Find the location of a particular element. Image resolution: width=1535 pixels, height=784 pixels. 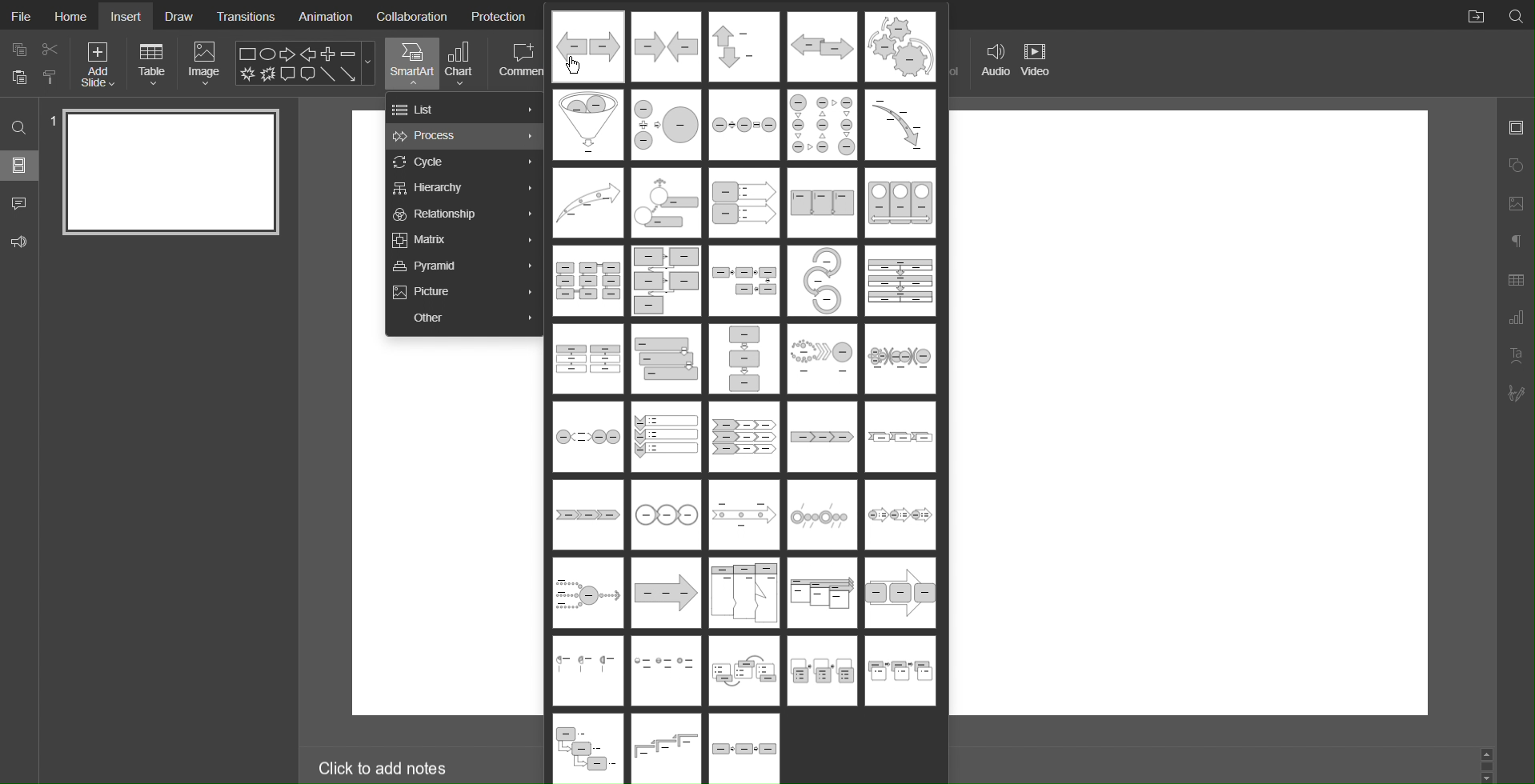

Matrix is located at coordinates (464, 240).